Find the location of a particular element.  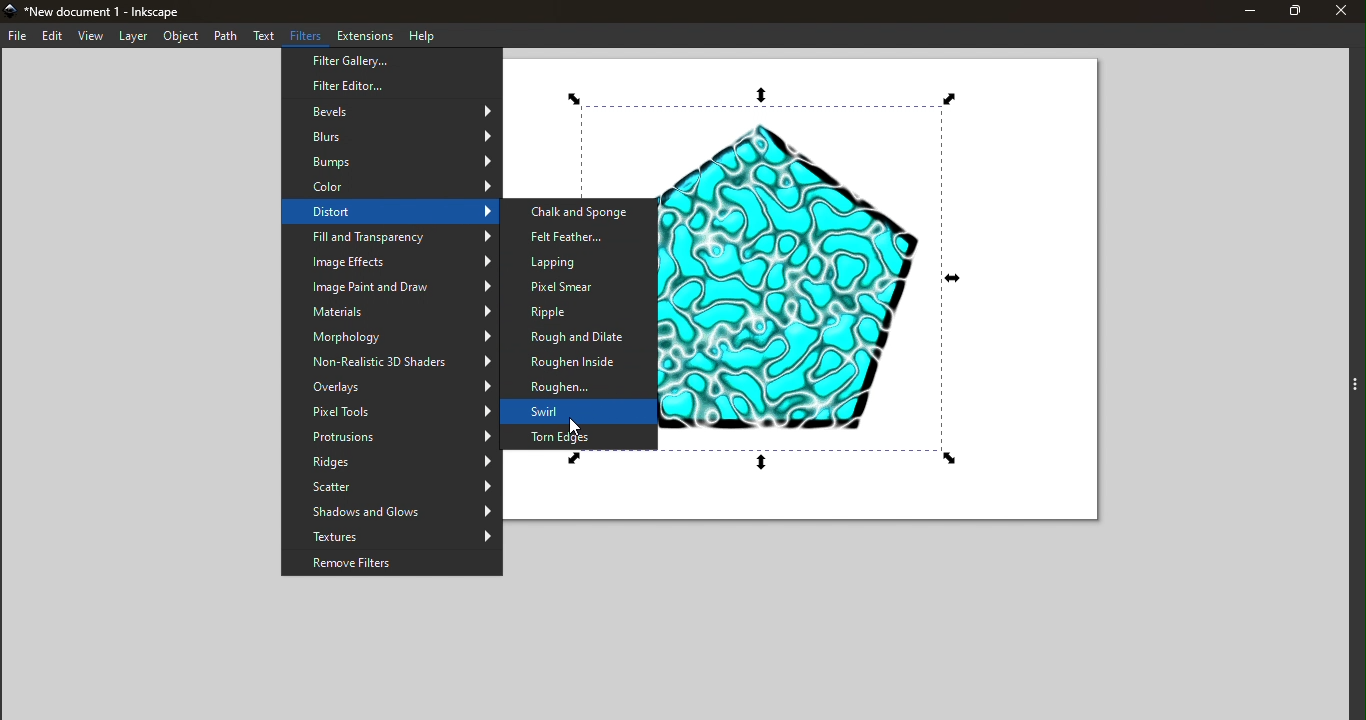

Text is located at coordinates (266, 36).